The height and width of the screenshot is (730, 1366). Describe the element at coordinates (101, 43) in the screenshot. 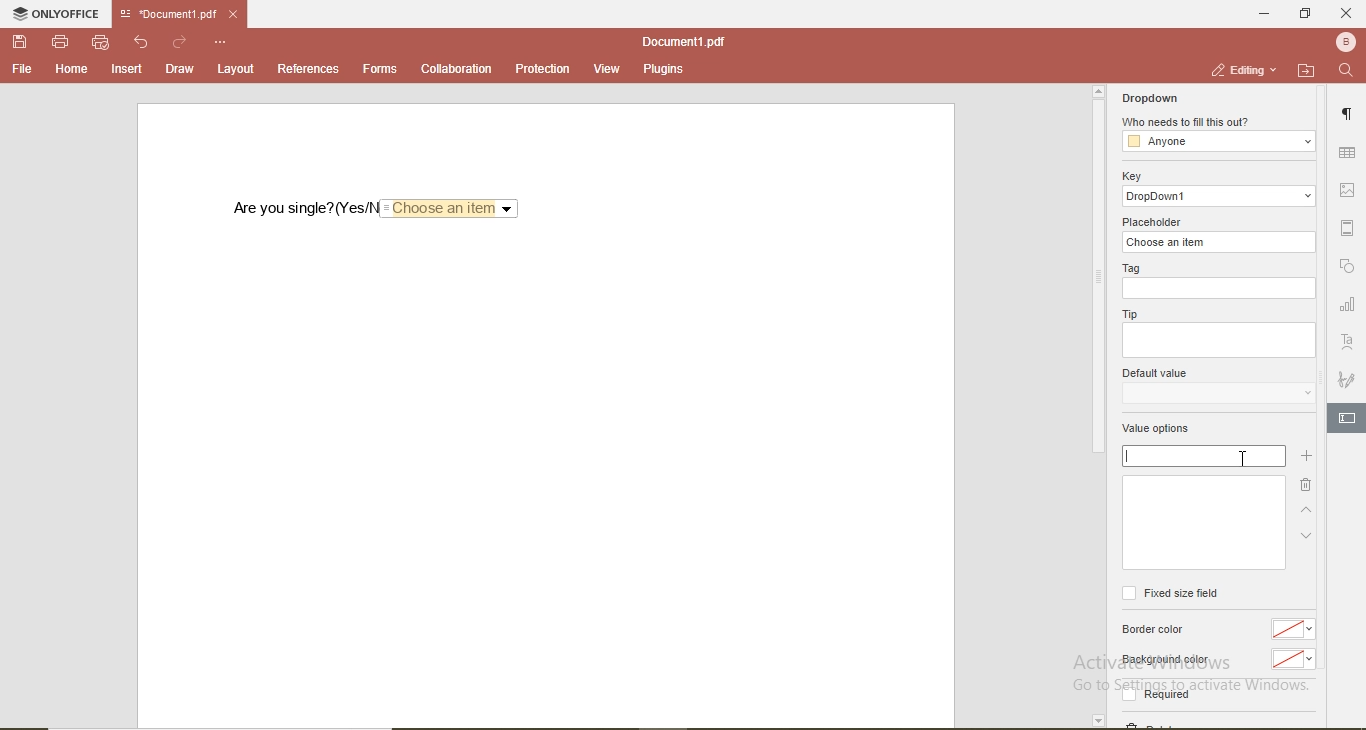

I see `quick print` at that location.